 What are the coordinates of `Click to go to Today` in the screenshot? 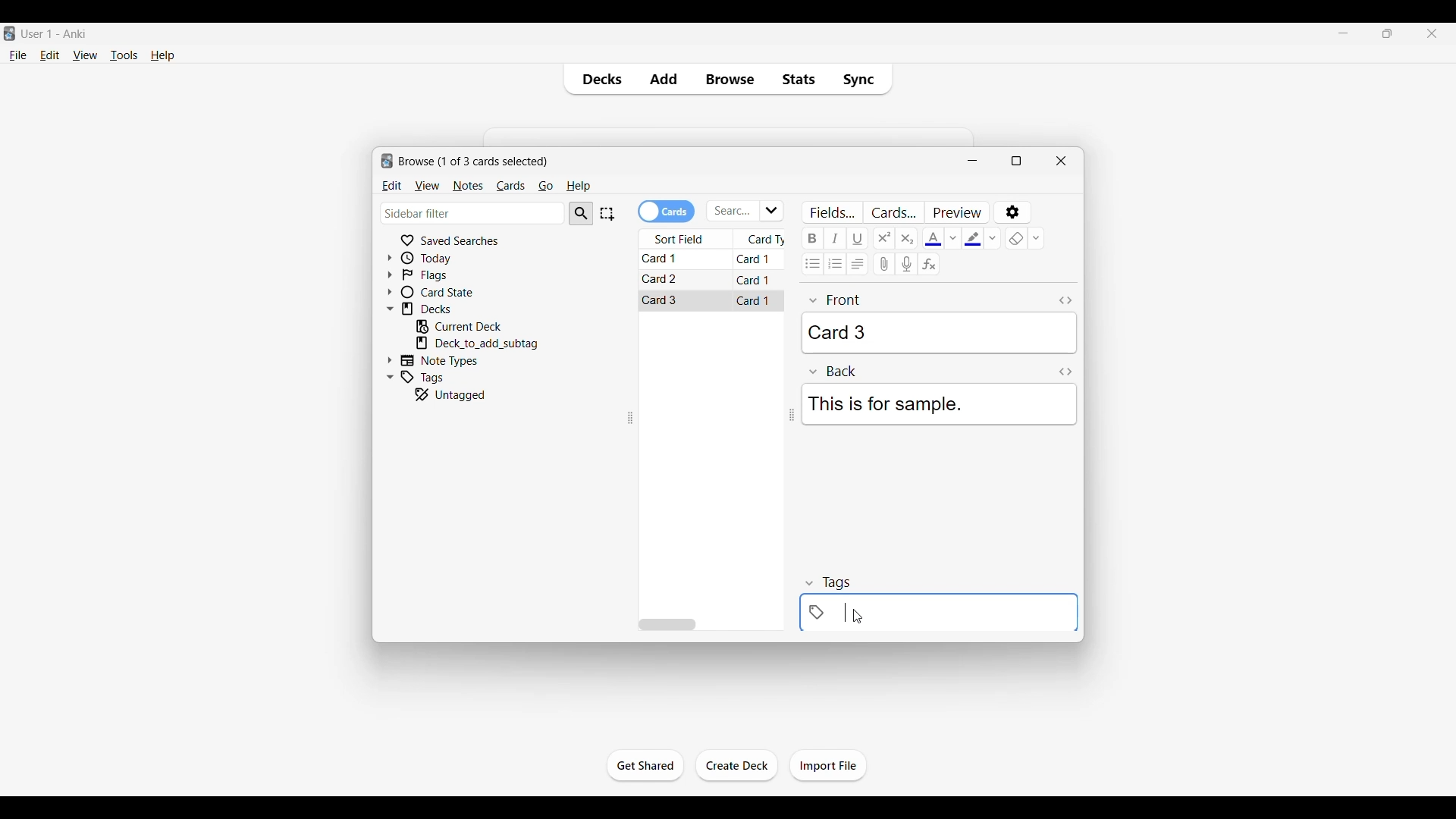 It's located at (449, 258).